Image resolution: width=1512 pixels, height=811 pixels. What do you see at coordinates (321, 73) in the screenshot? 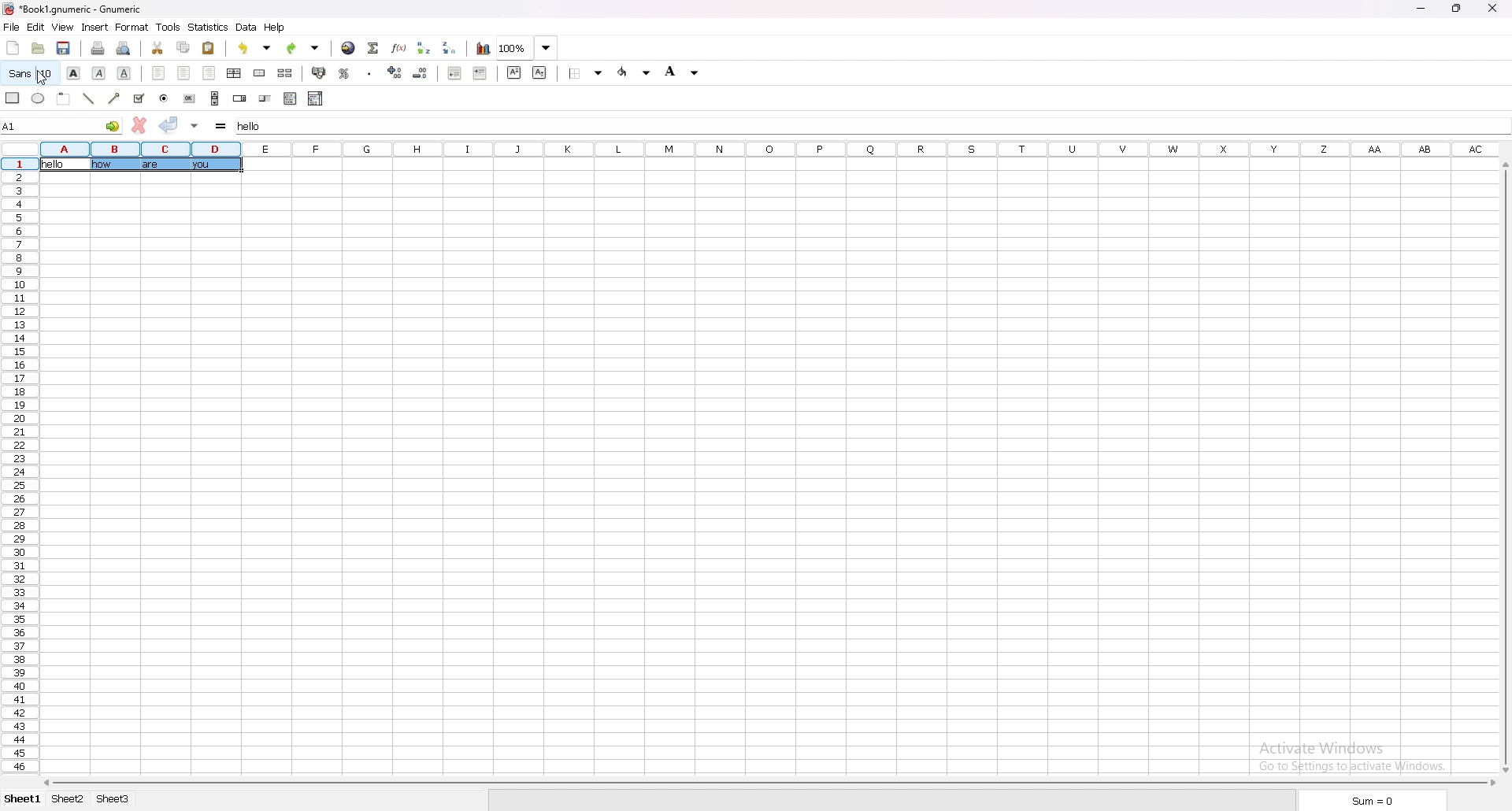
I see `accounting` at bounding box center [321, 73].